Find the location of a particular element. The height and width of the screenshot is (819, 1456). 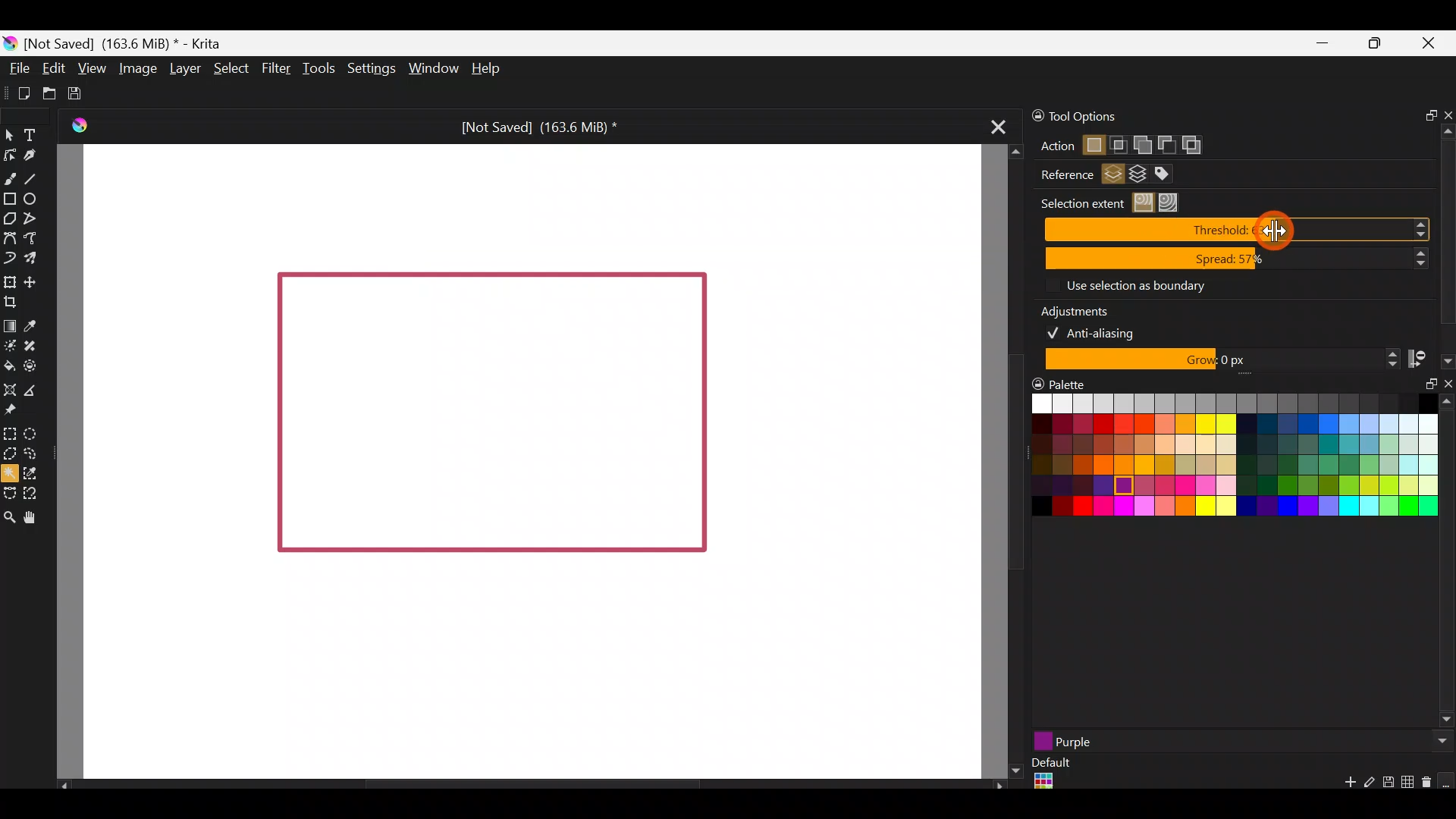

Dynamic brush tool is located at coordinates (9, 257).